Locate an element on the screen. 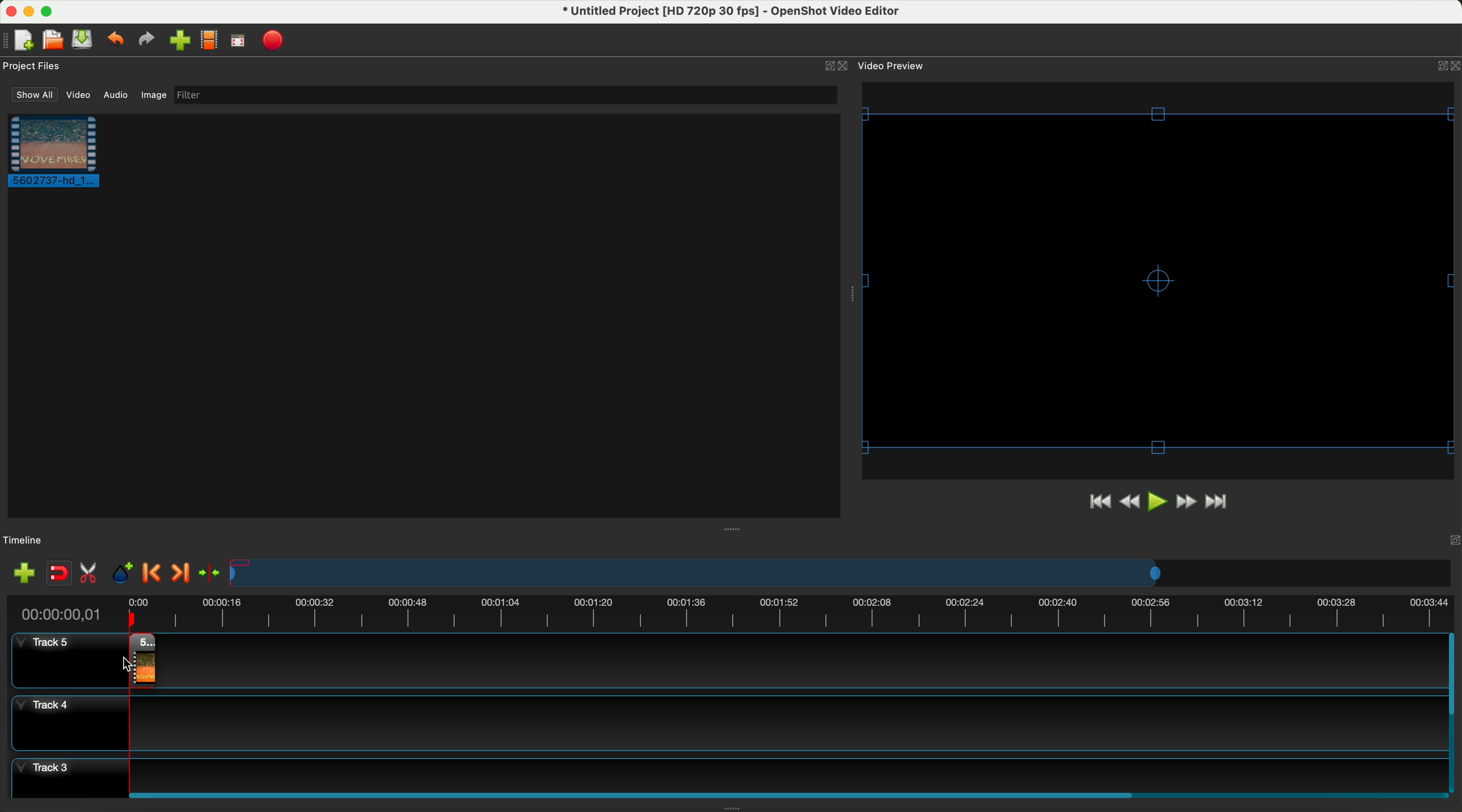  save project is located at coordinates (83, 39).